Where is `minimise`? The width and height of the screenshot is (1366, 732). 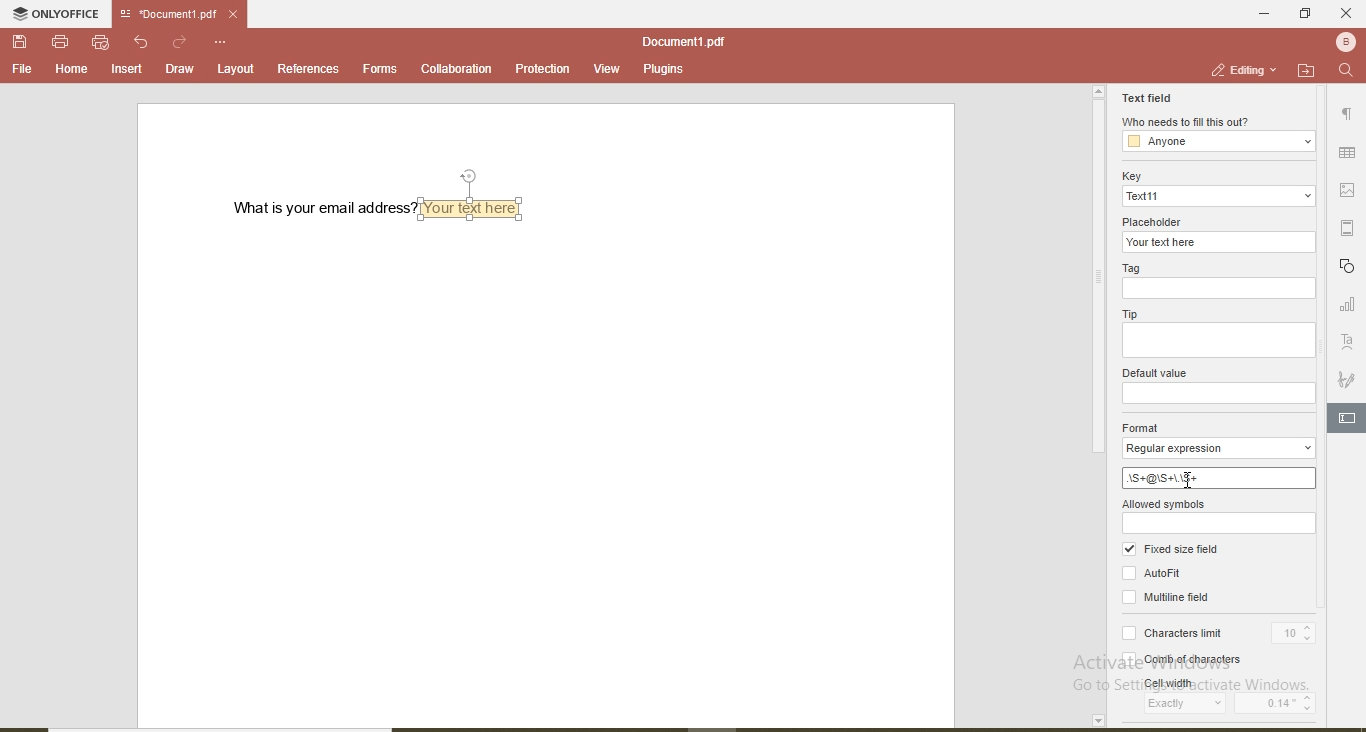 minimise is located at coordinates (1258, 12).